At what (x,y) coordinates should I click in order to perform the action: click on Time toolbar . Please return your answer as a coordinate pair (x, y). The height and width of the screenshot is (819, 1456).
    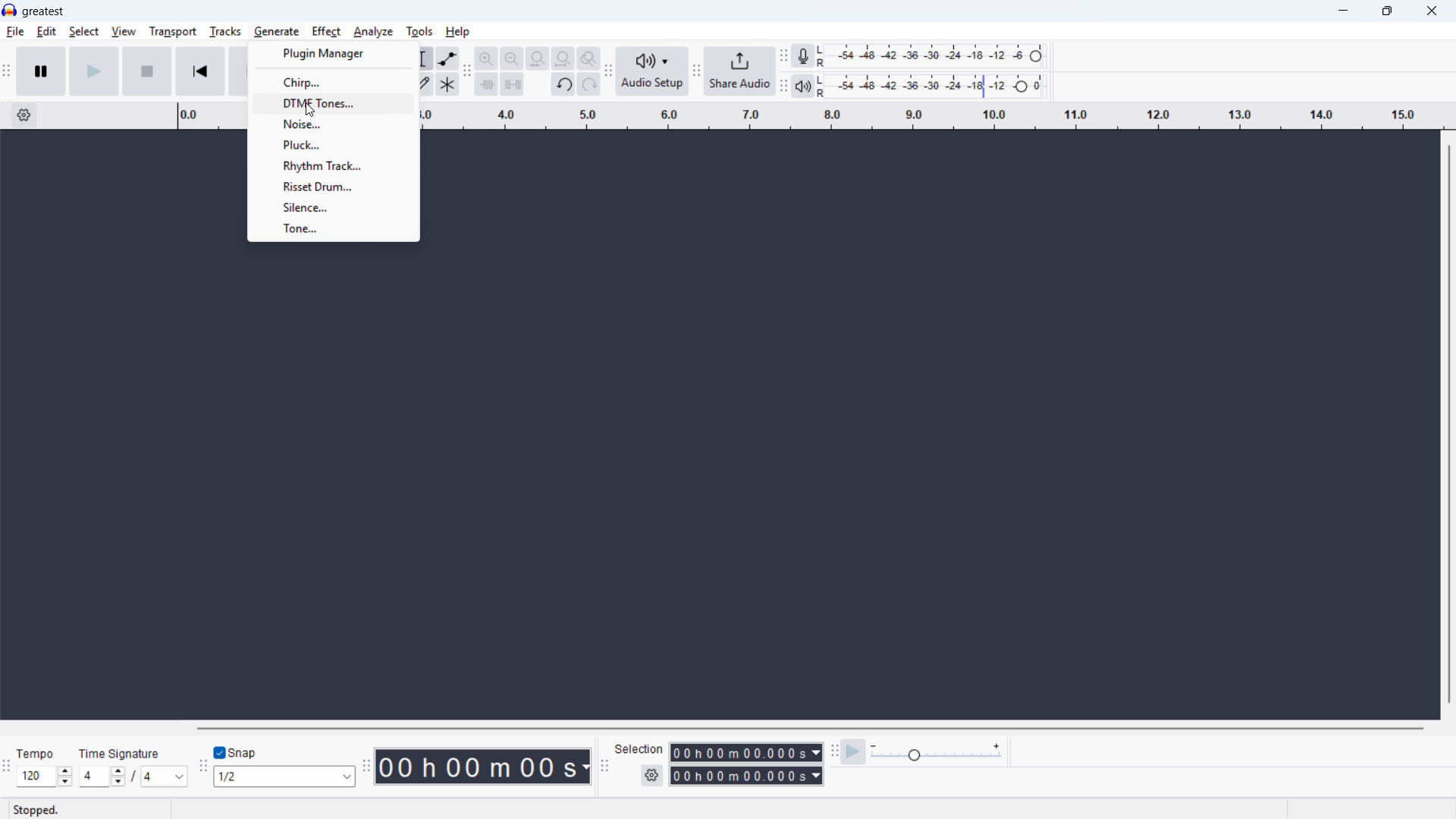
    Looking at the image, I should click on (369, 767).